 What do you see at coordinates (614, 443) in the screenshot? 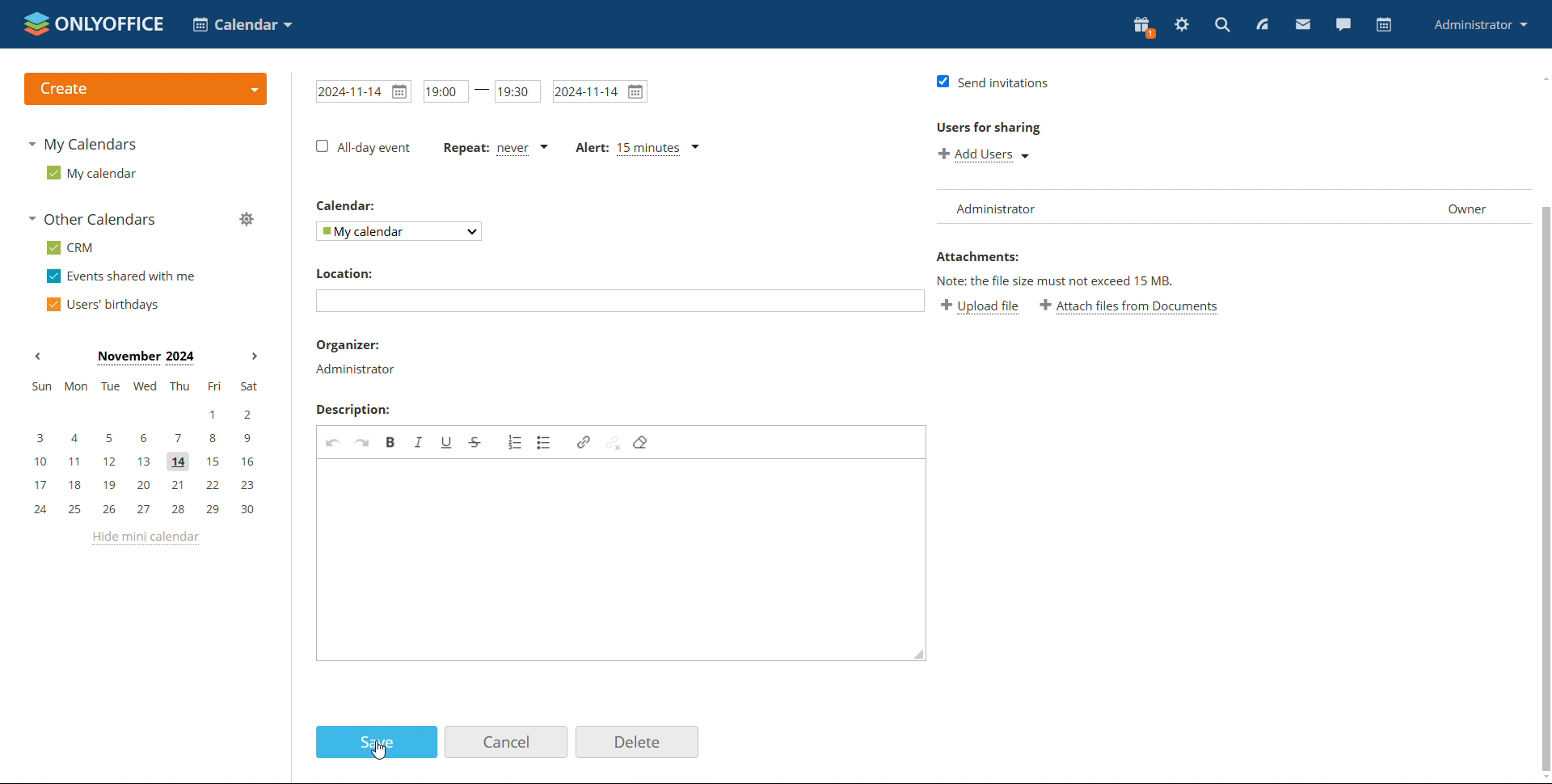
I see `unlink` at bounding box center [614, 443].